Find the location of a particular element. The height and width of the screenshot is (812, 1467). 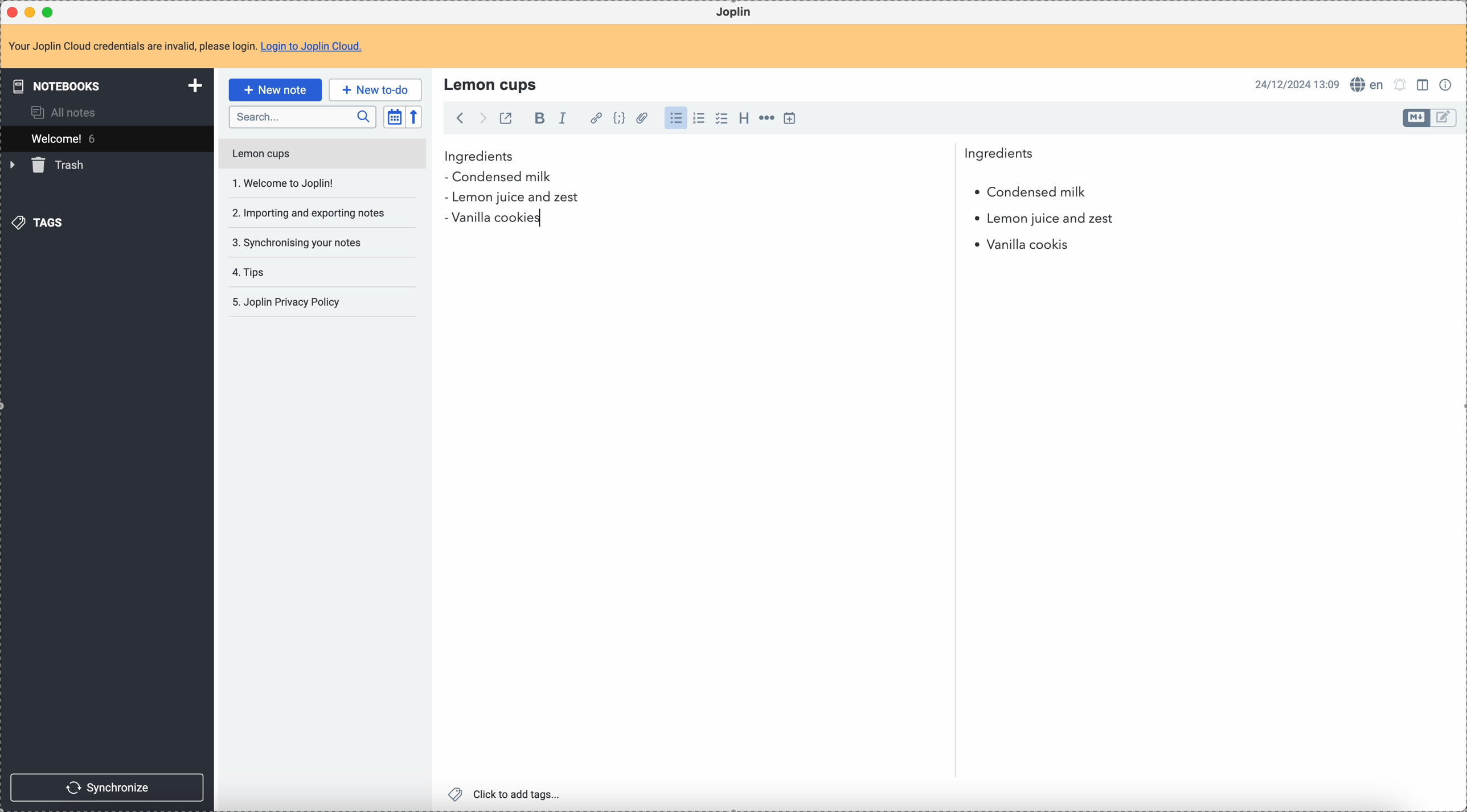

synchronize is located at coordinates (108, 788).